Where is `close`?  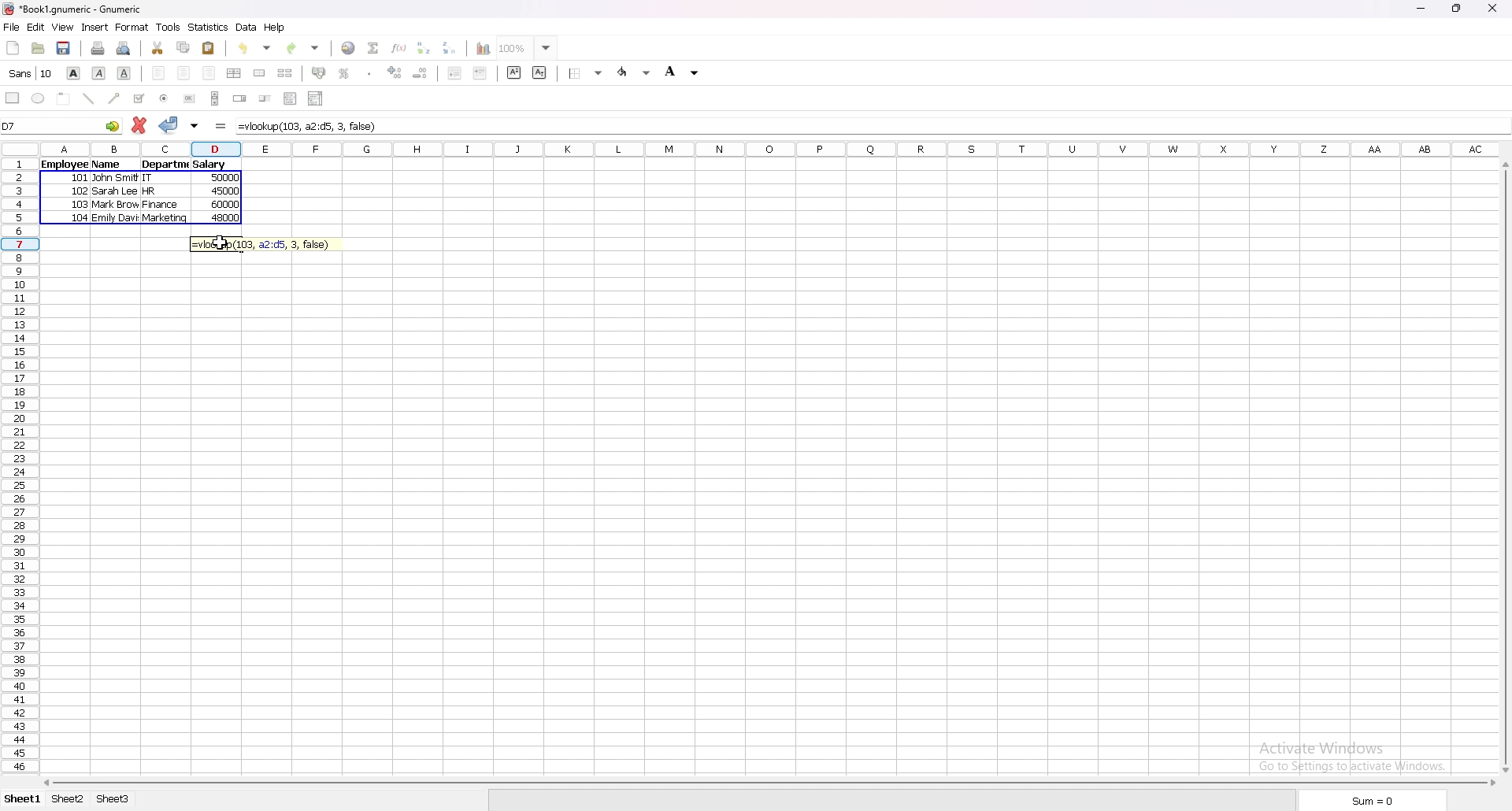 close is located at coordinates (1492, 9).